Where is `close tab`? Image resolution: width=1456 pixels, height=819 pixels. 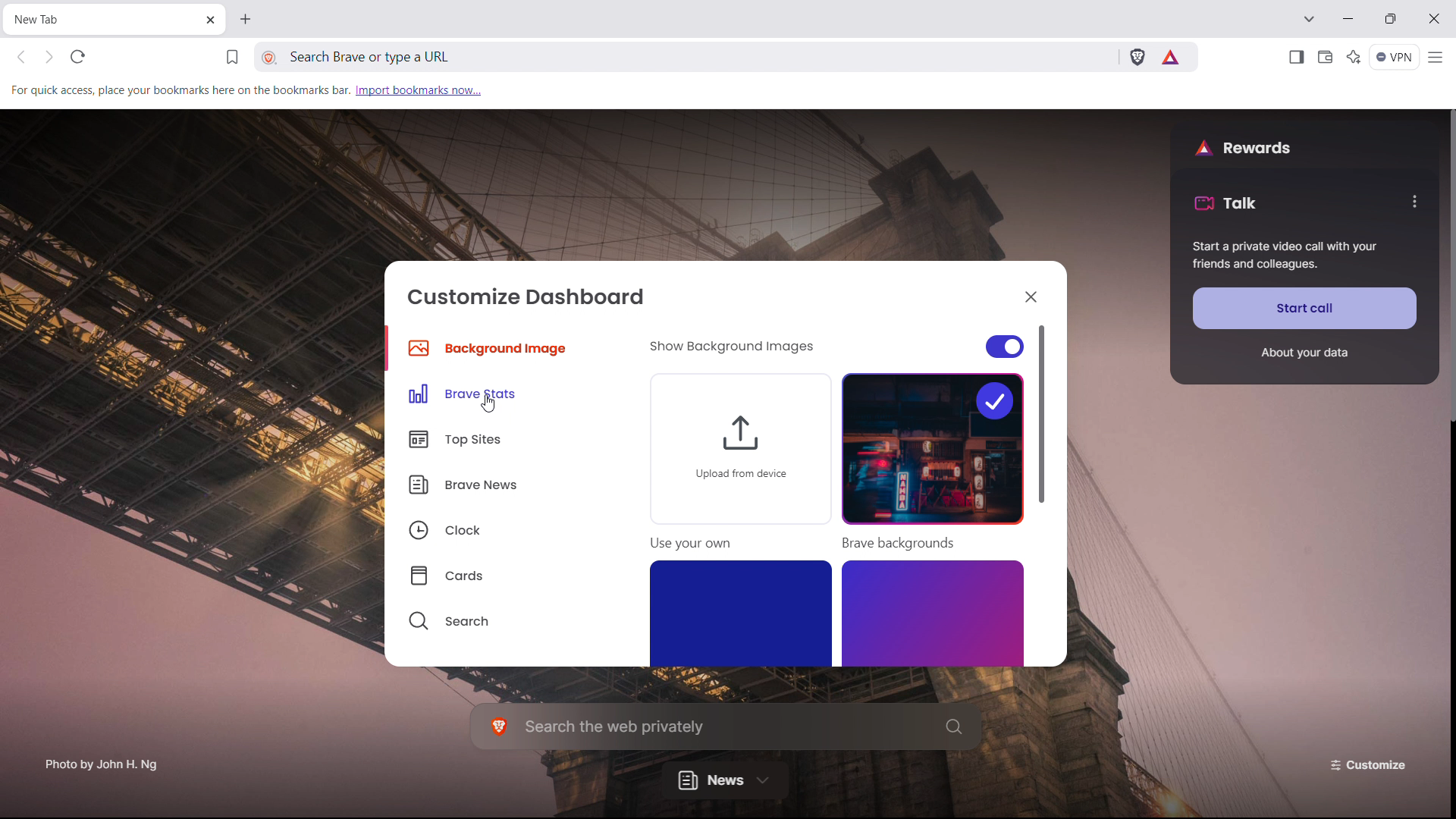
close tab is located at coordinates (209, 21).